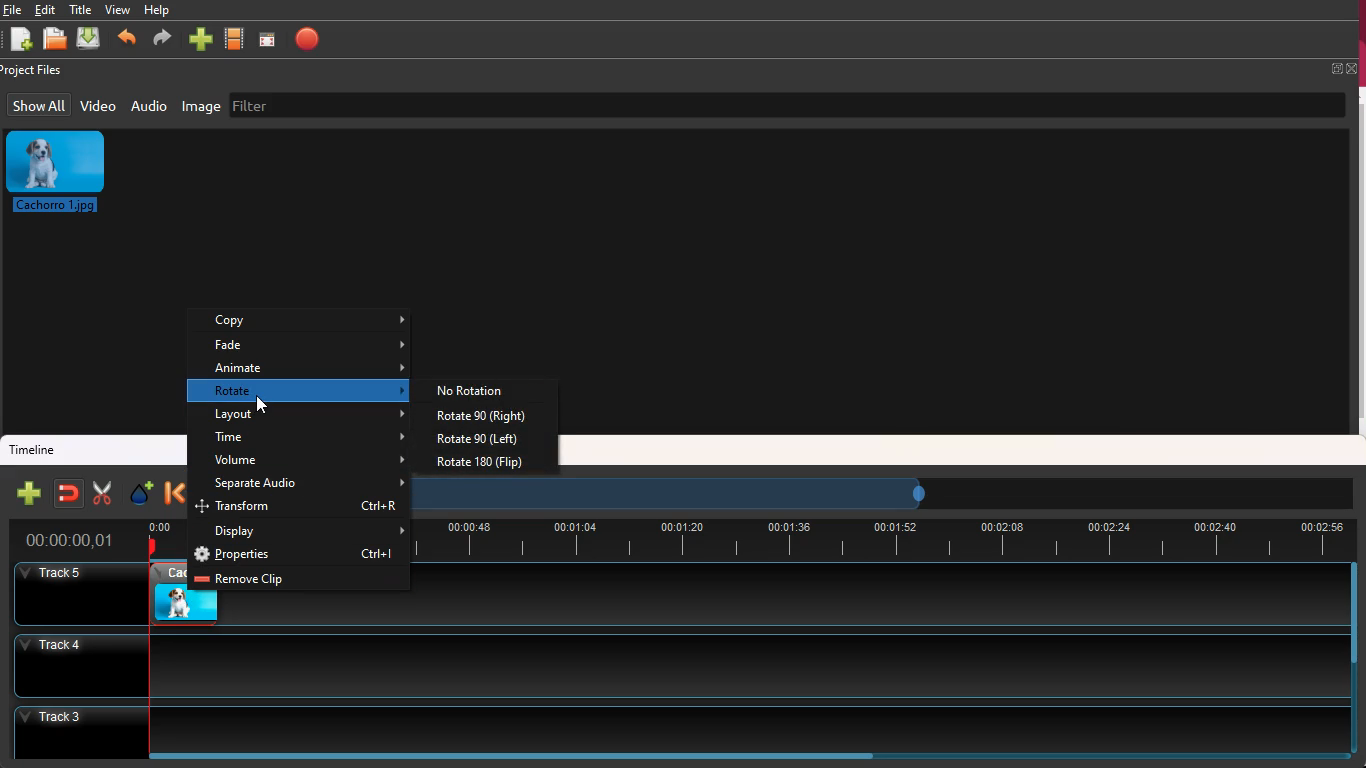 The width and height of the screenshot is (1366, 768). What do you see at coordinates (887, 537) in the screenshot?
I see `timeline` at bounding box center [887, 537].